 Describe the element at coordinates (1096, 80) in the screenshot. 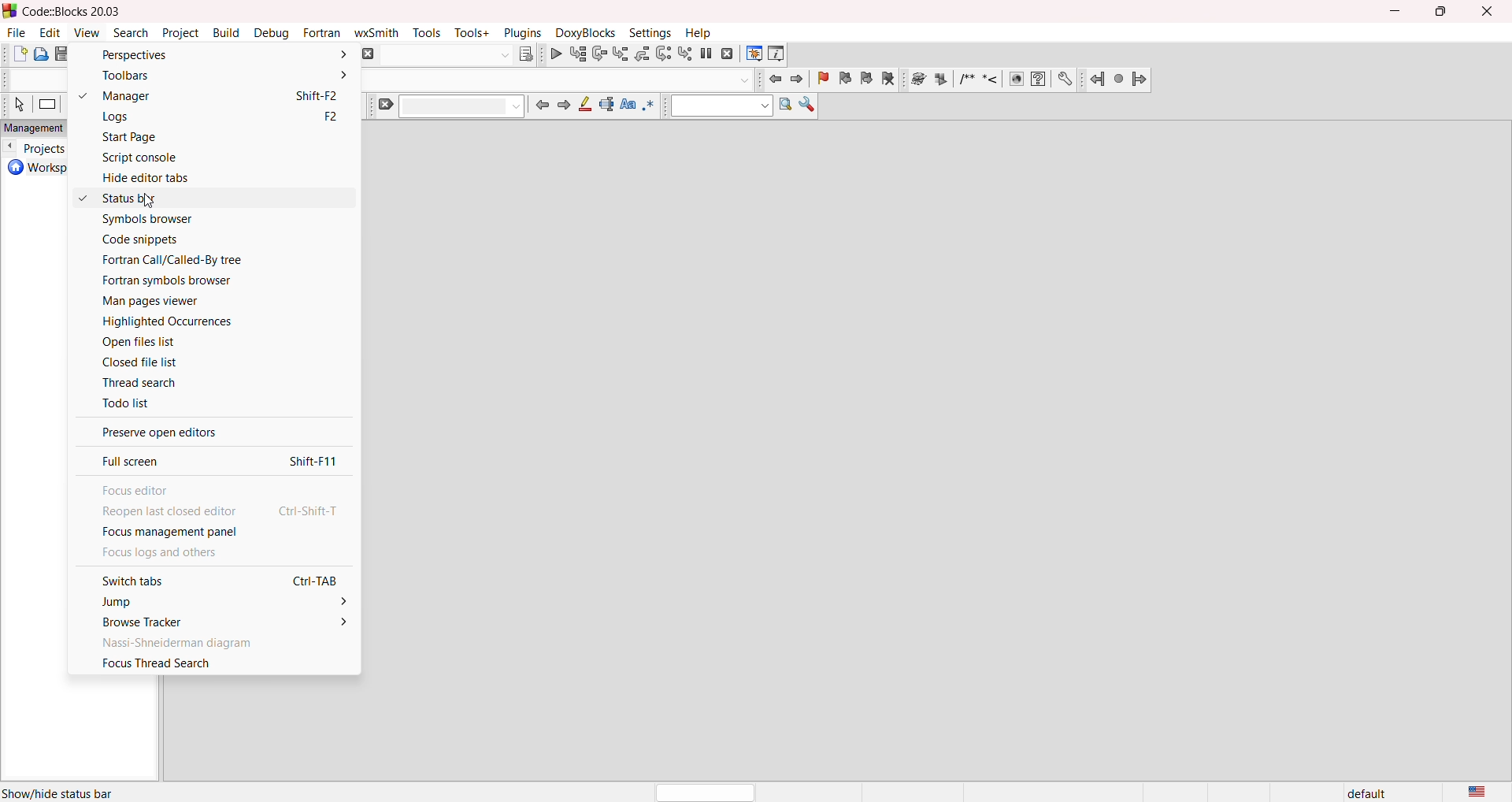

I see `Back jump` at that location.